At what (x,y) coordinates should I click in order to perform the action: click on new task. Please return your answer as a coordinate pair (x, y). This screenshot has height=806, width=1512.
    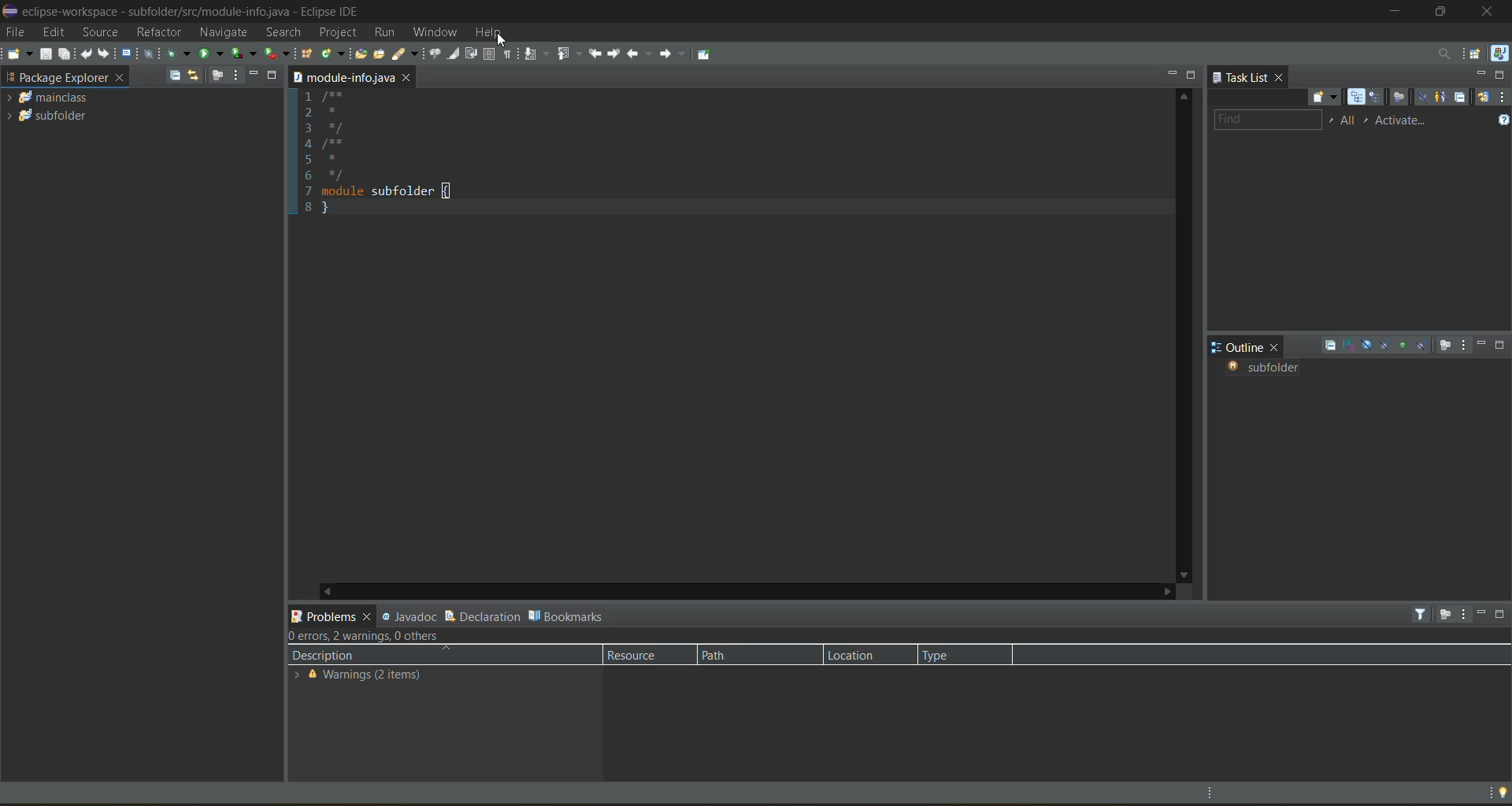
    Looking at the image, I should click on (1325, 95).